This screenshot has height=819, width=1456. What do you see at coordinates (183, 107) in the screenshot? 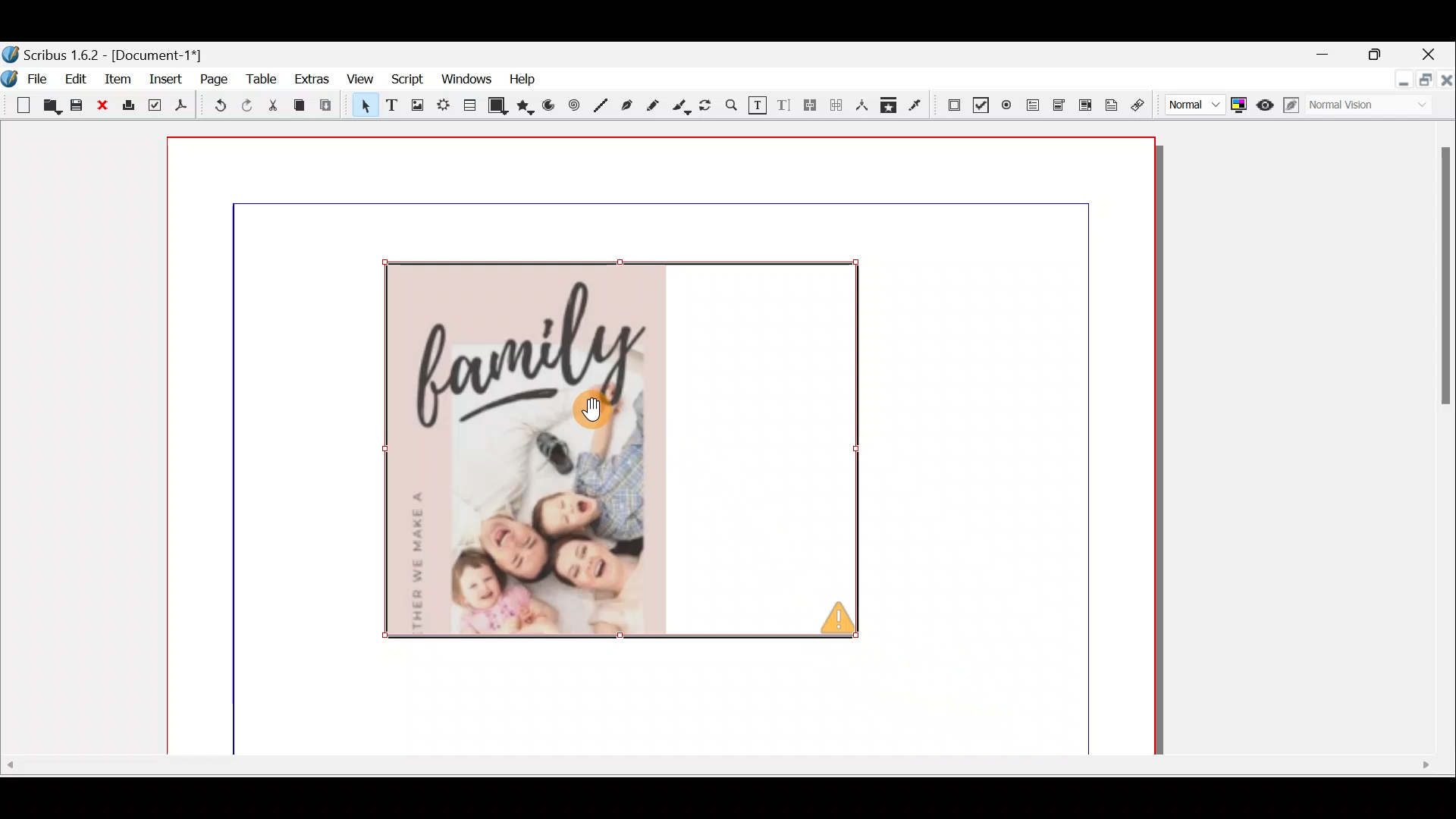
I see `Save as PDF` at bounding box center [183, 107].